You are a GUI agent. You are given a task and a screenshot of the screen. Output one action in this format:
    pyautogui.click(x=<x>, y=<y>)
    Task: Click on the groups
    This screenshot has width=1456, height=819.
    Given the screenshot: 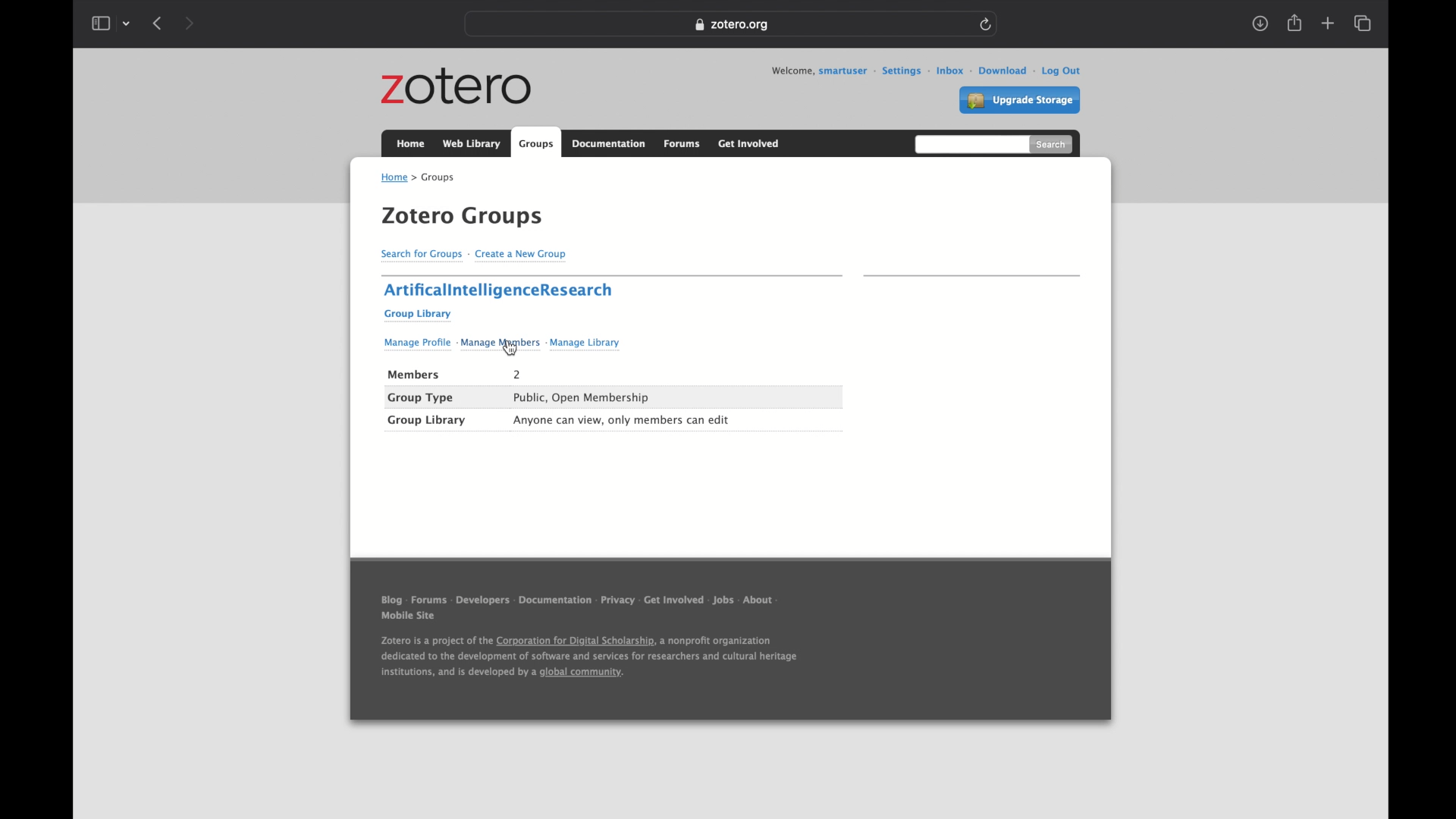 What is the action you would take?
    pyautogui.click(x=438, y=178)
    